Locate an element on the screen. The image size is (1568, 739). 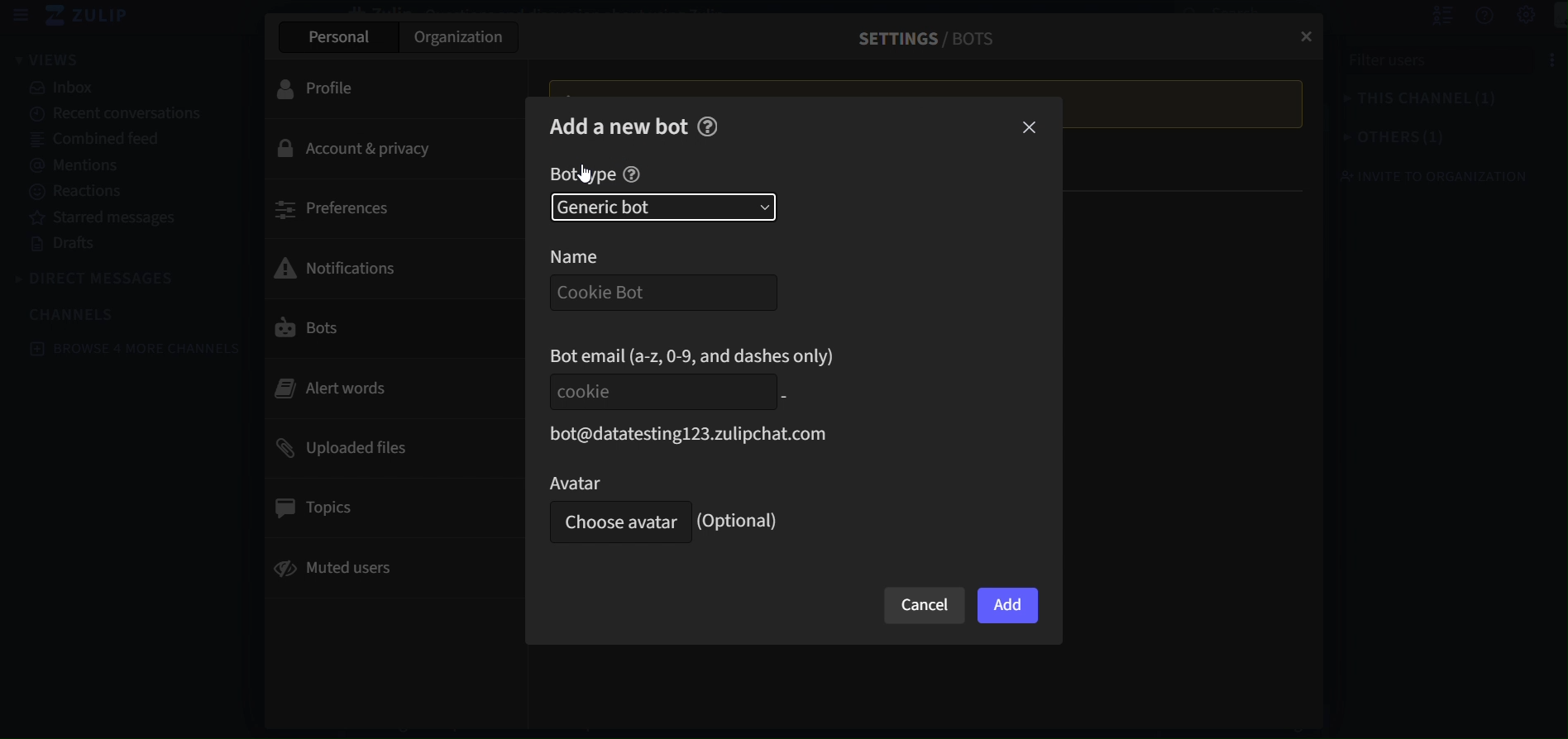
recent conversations is located at coordinates (118, 116).